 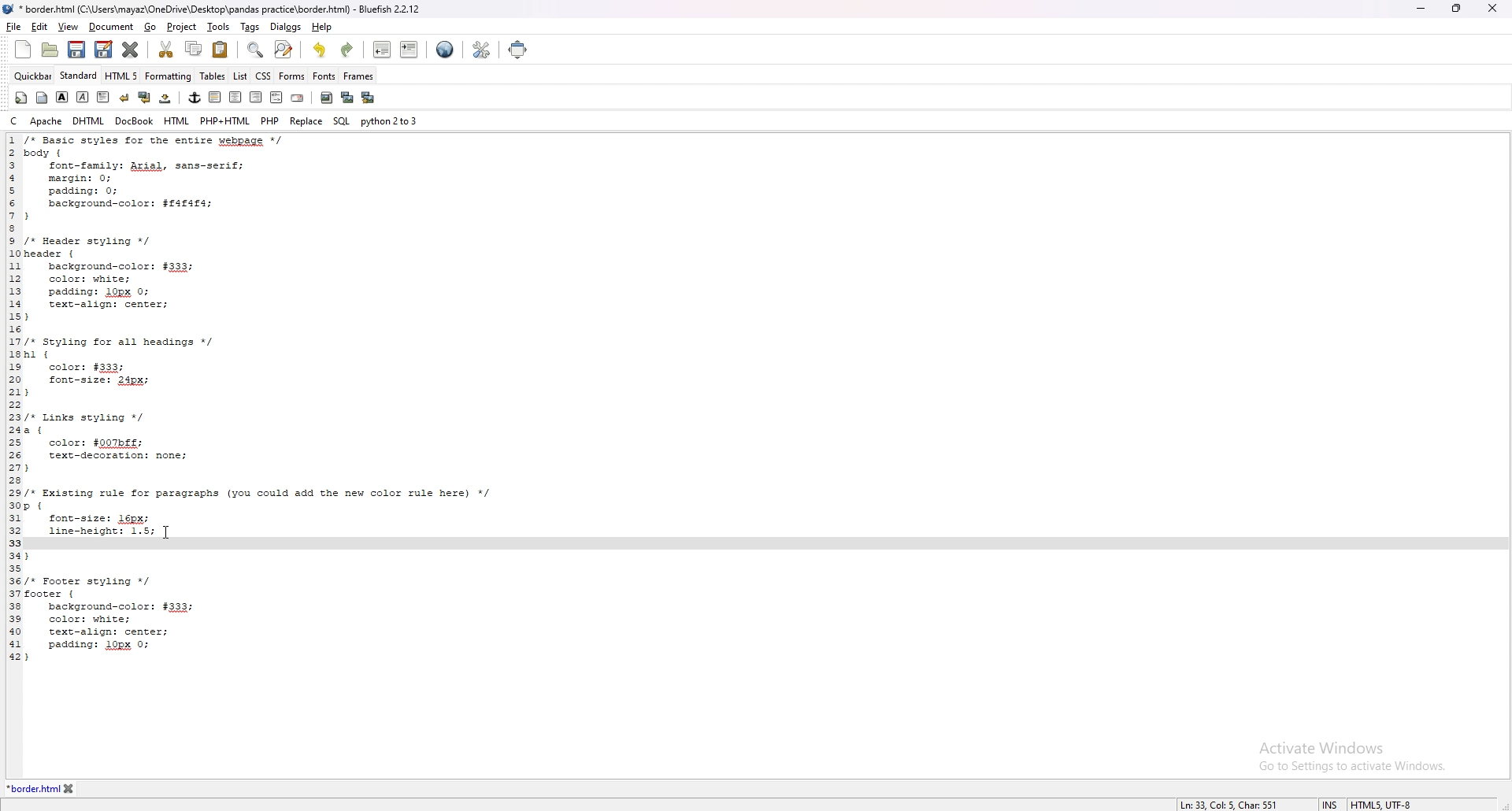 I want to click on close tab, so click(x=91, y=788).